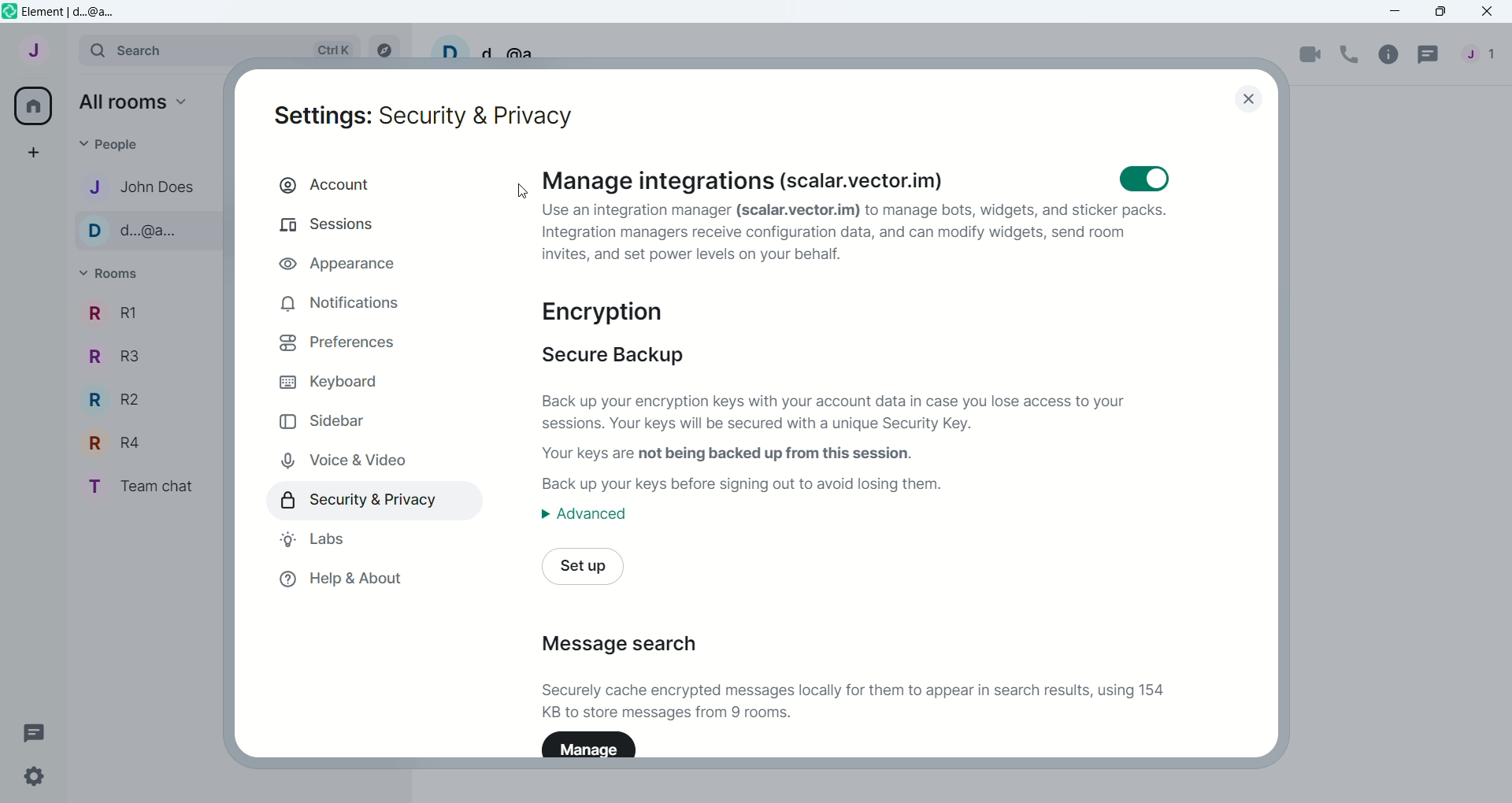  Describe the element at coordinates (117, 442) in the screenshot. I see `R R4` at that location.